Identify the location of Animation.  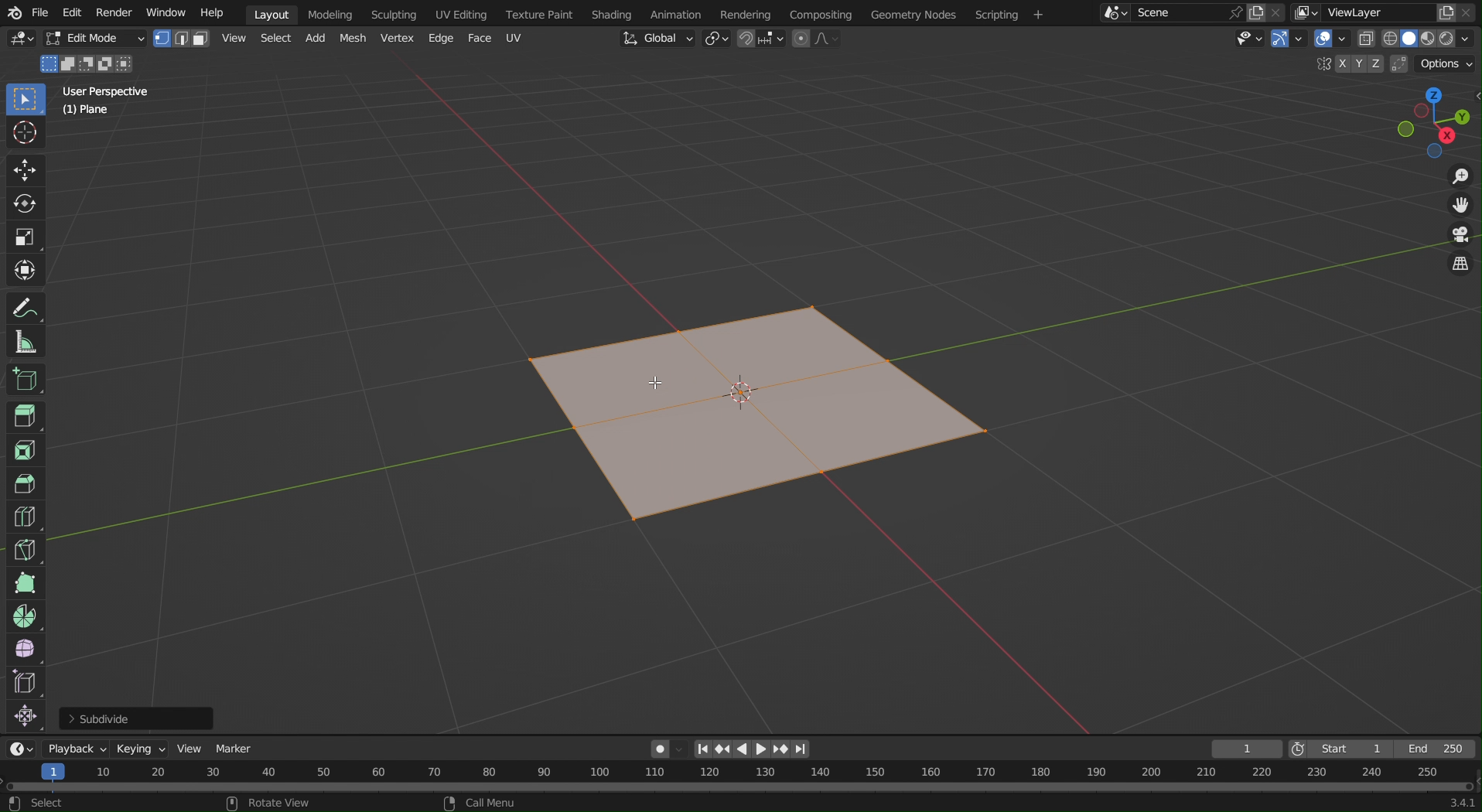
(677, 13).